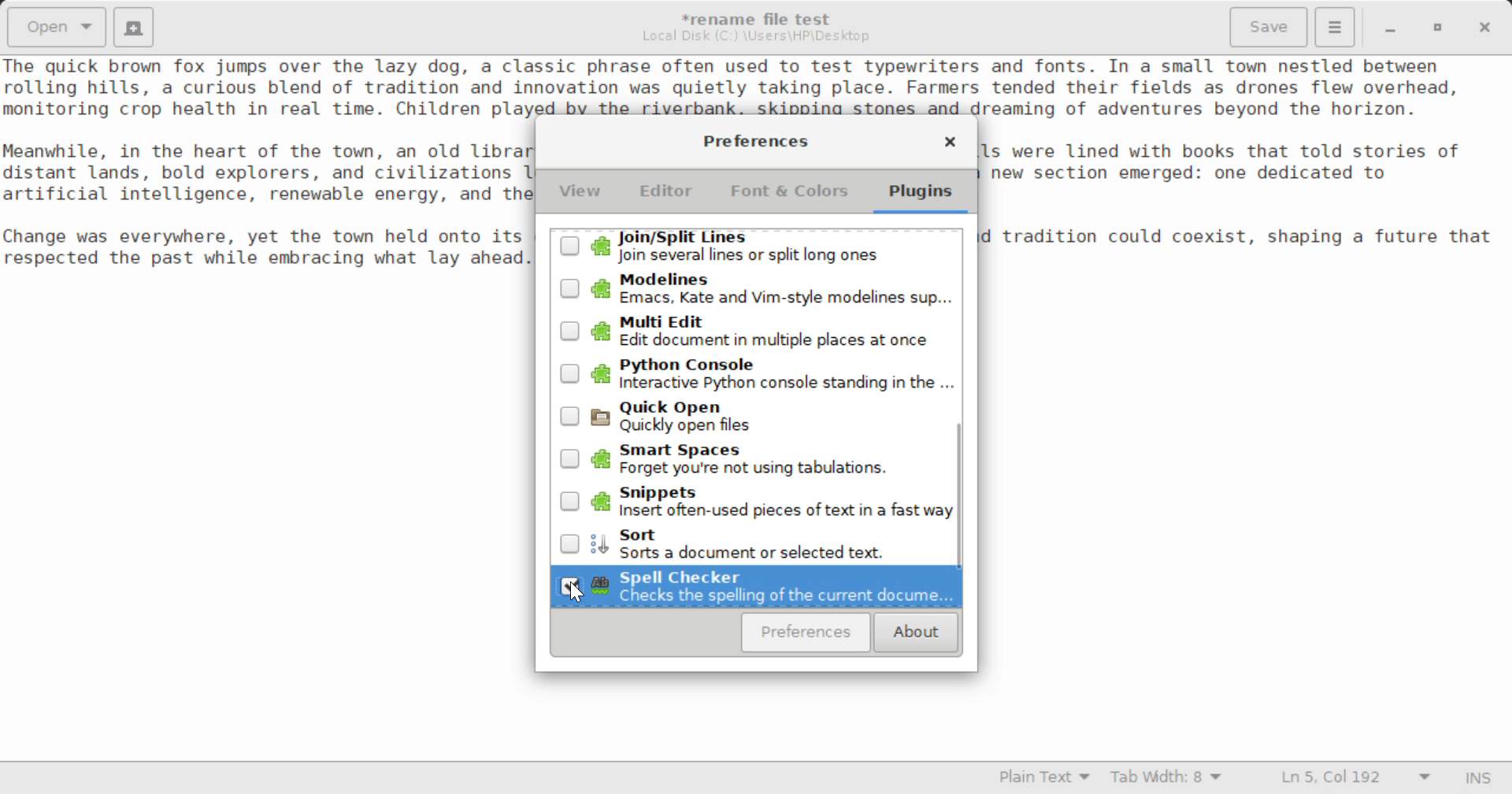 Image resolution: width=1512 pixels, height=794 pixels. I want to click on Plugins Tab Selected, so click(925, 197).